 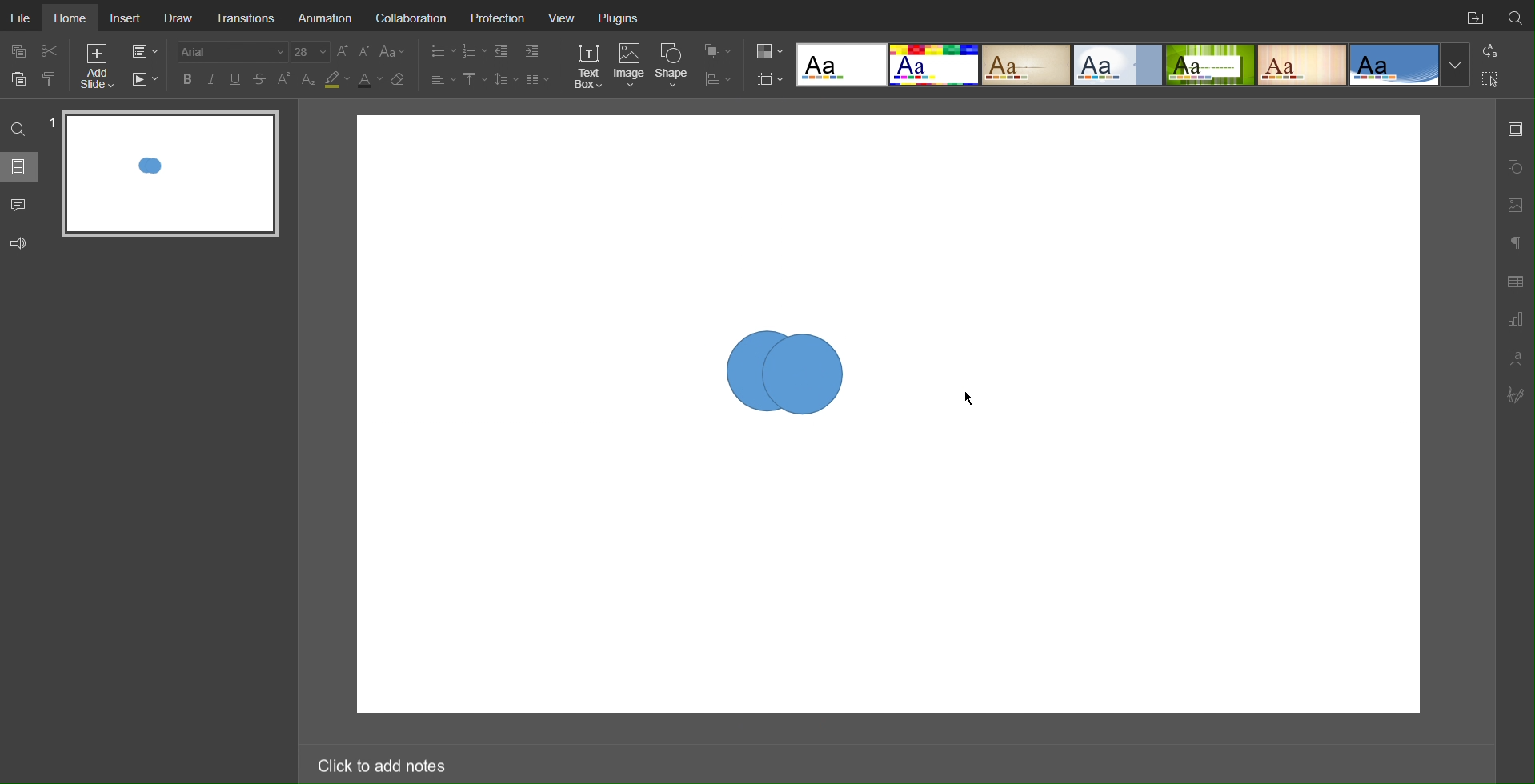 What do you see at coordinates (51, 118) in the screenshot?
I see `slide number` at bounding box center [51, 118].